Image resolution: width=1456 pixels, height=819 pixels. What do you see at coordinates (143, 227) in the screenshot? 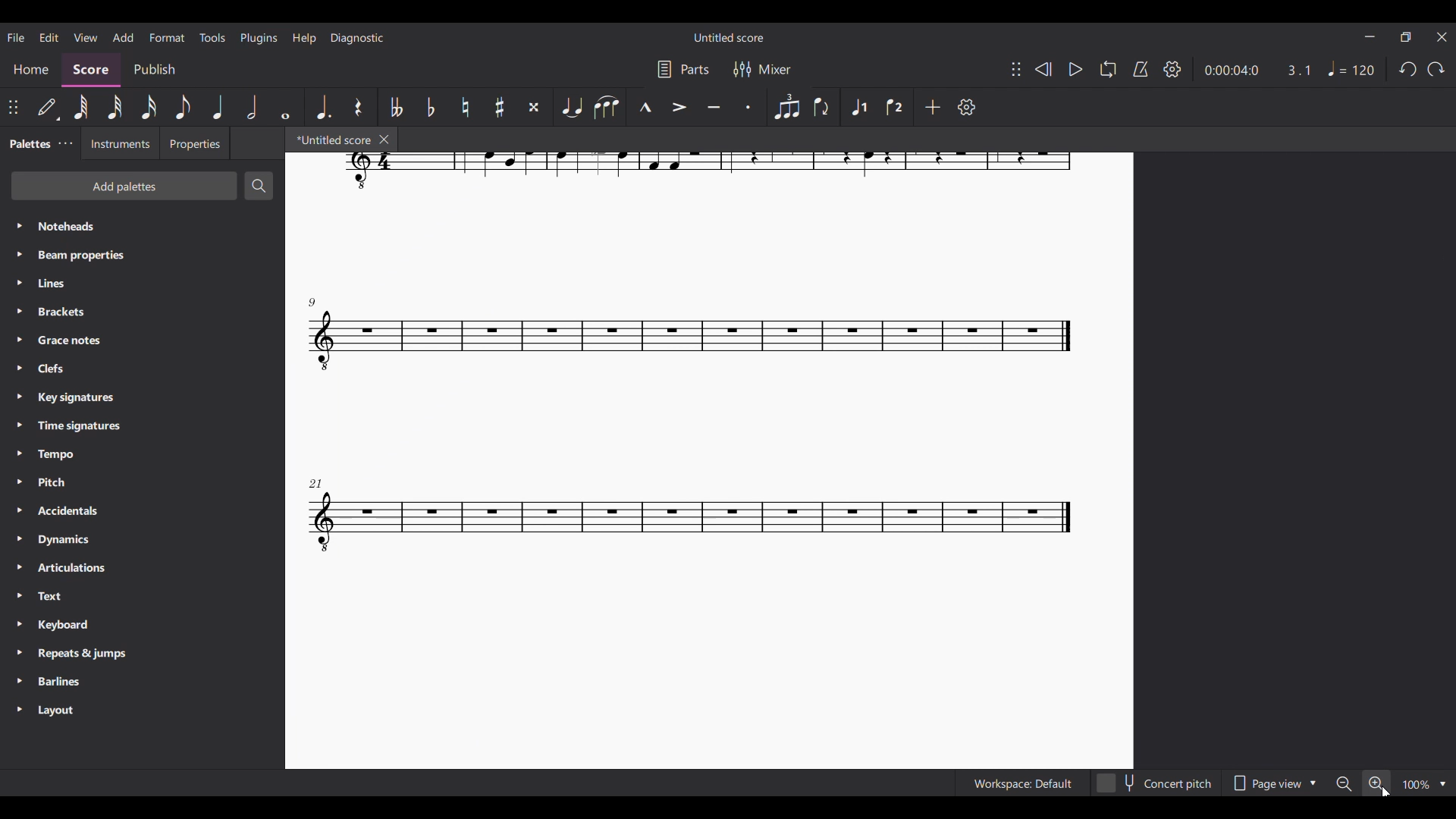
I see `Noteheads` at bounding box center [143, 227].